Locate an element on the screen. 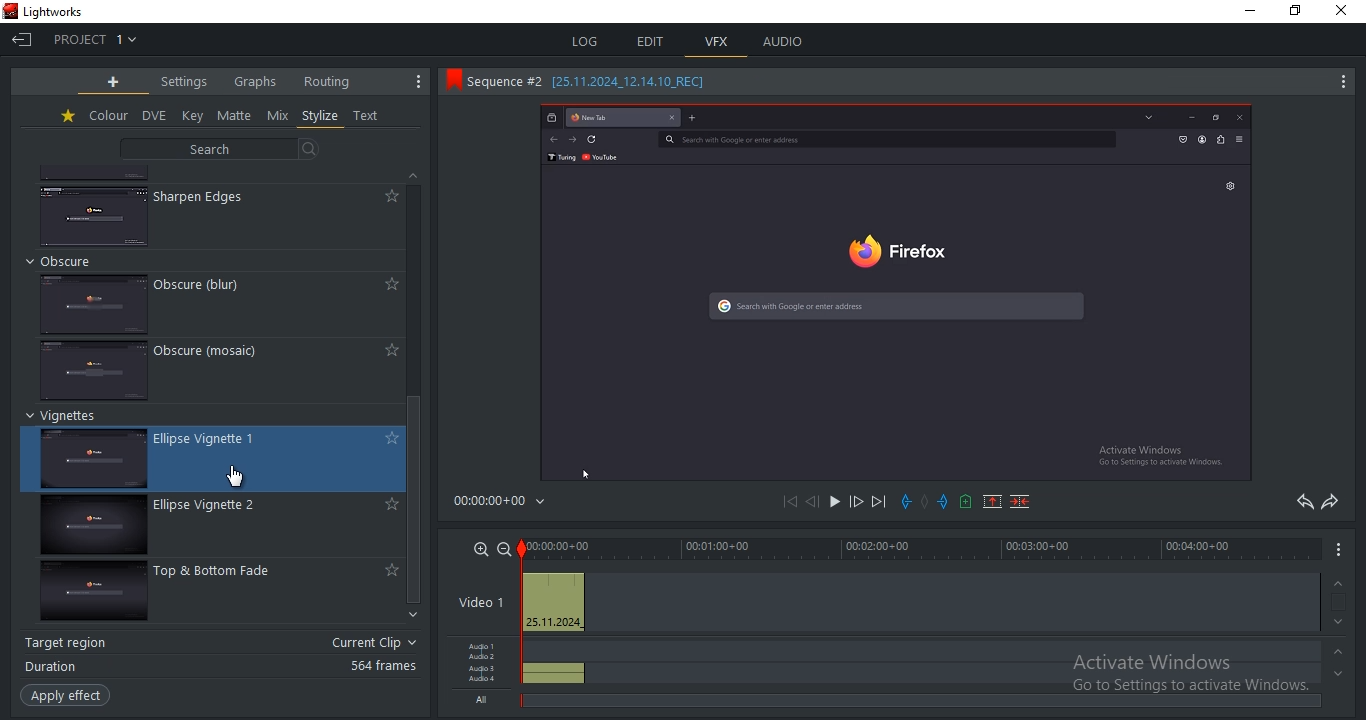 The image size is (1366, 720). Bookmark icon is located at coordinates (449, 83).